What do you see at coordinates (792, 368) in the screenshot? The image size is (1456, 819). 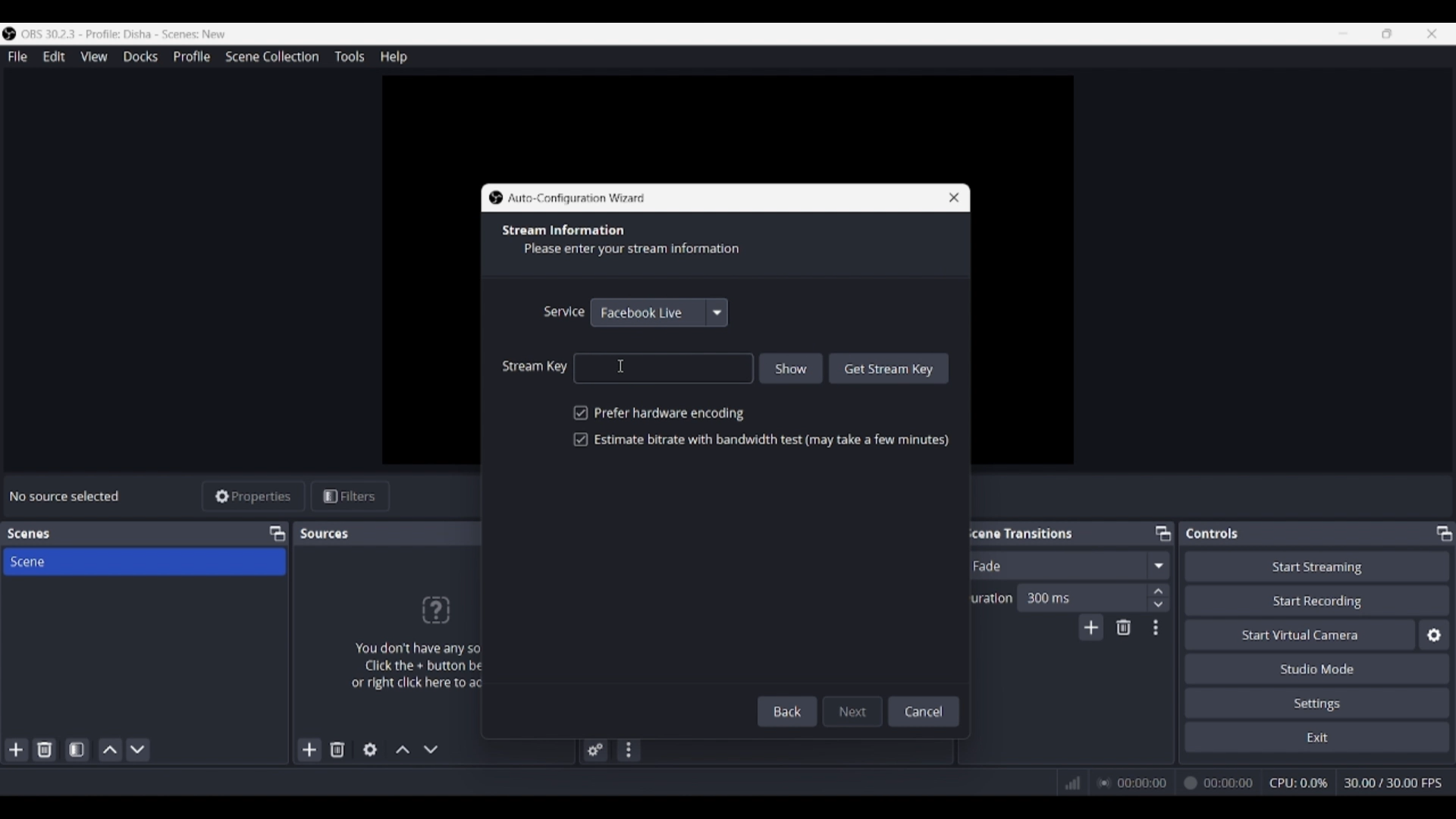 I see `Show input made` at bounding box center [792, 368].